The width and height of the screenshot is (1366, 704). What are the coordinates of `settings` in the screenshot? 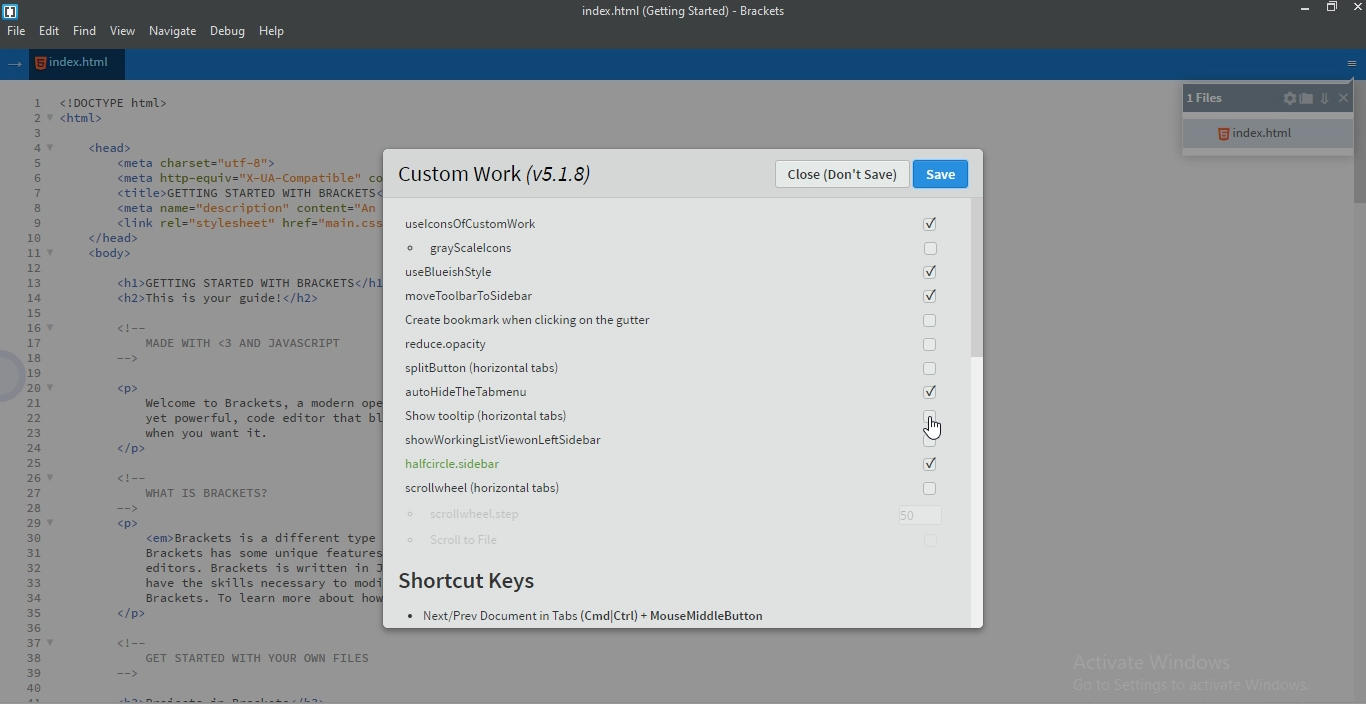 It's located at (1289, 97).